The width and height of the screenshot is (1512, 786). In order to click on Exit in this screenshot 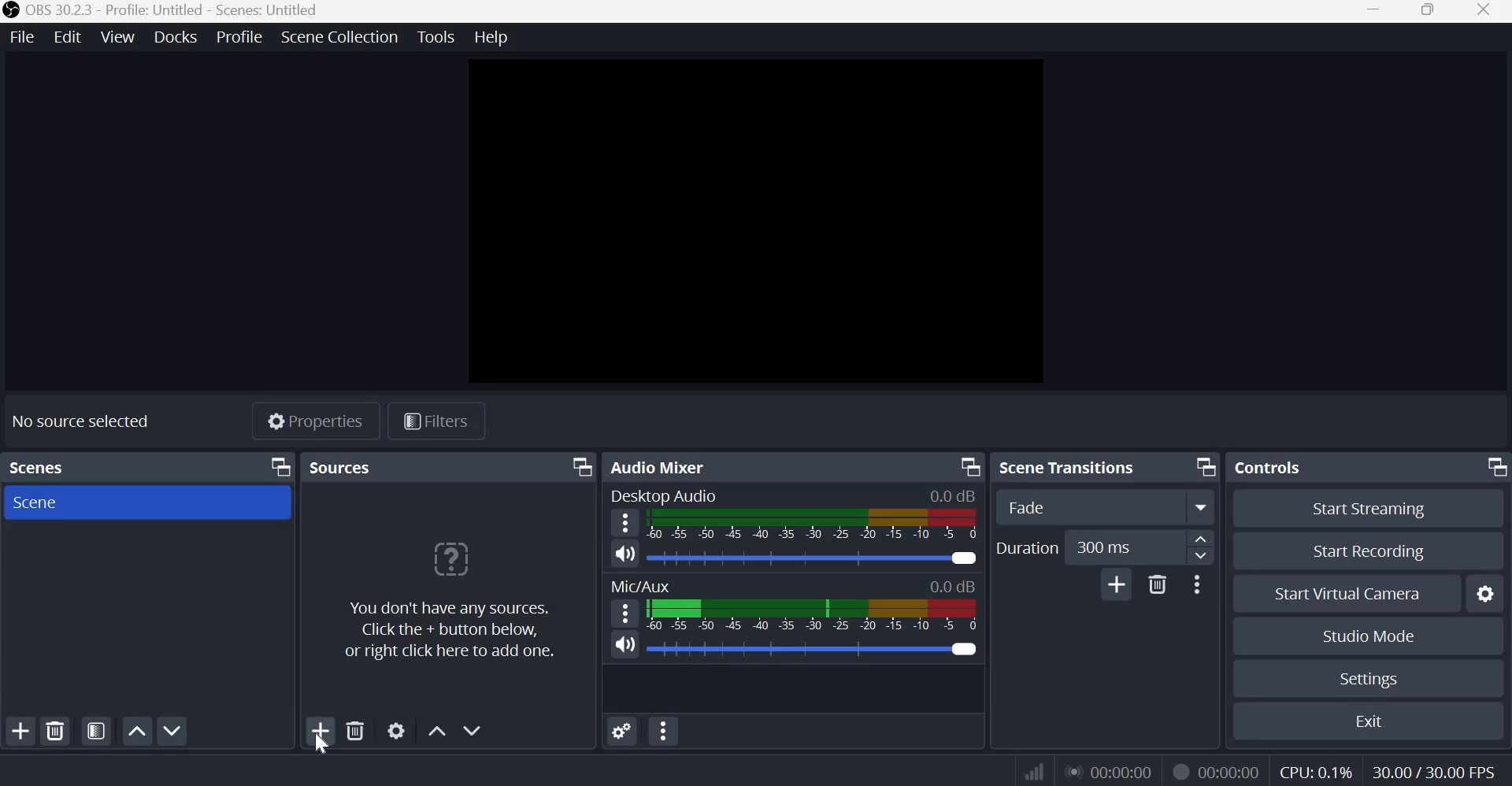, I will do `click(1373, 721)`.